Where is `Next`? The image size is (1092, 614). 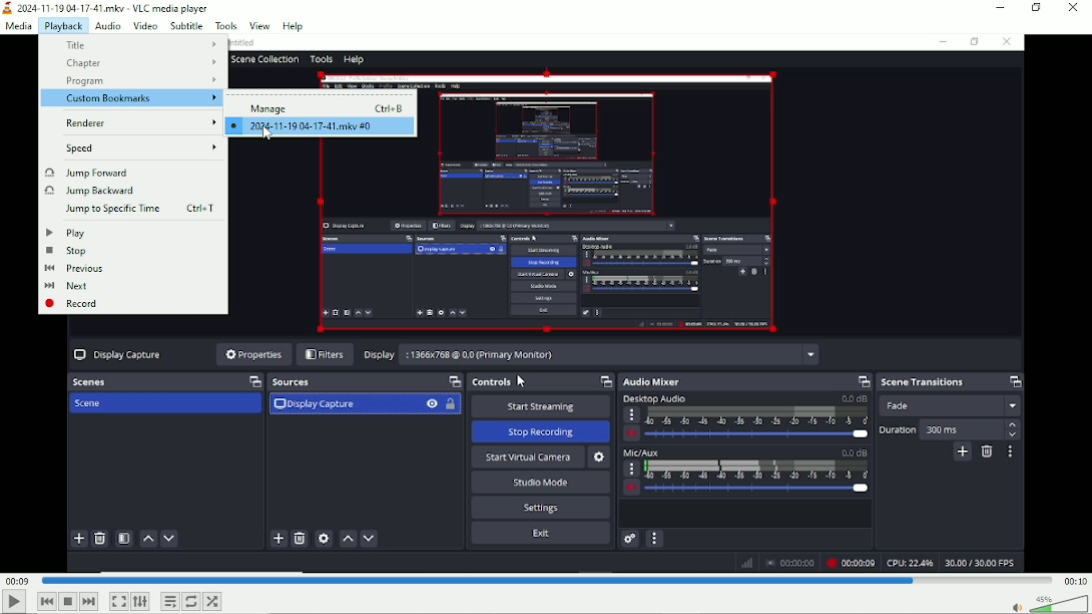
Next is located at coordinates (88, 602).